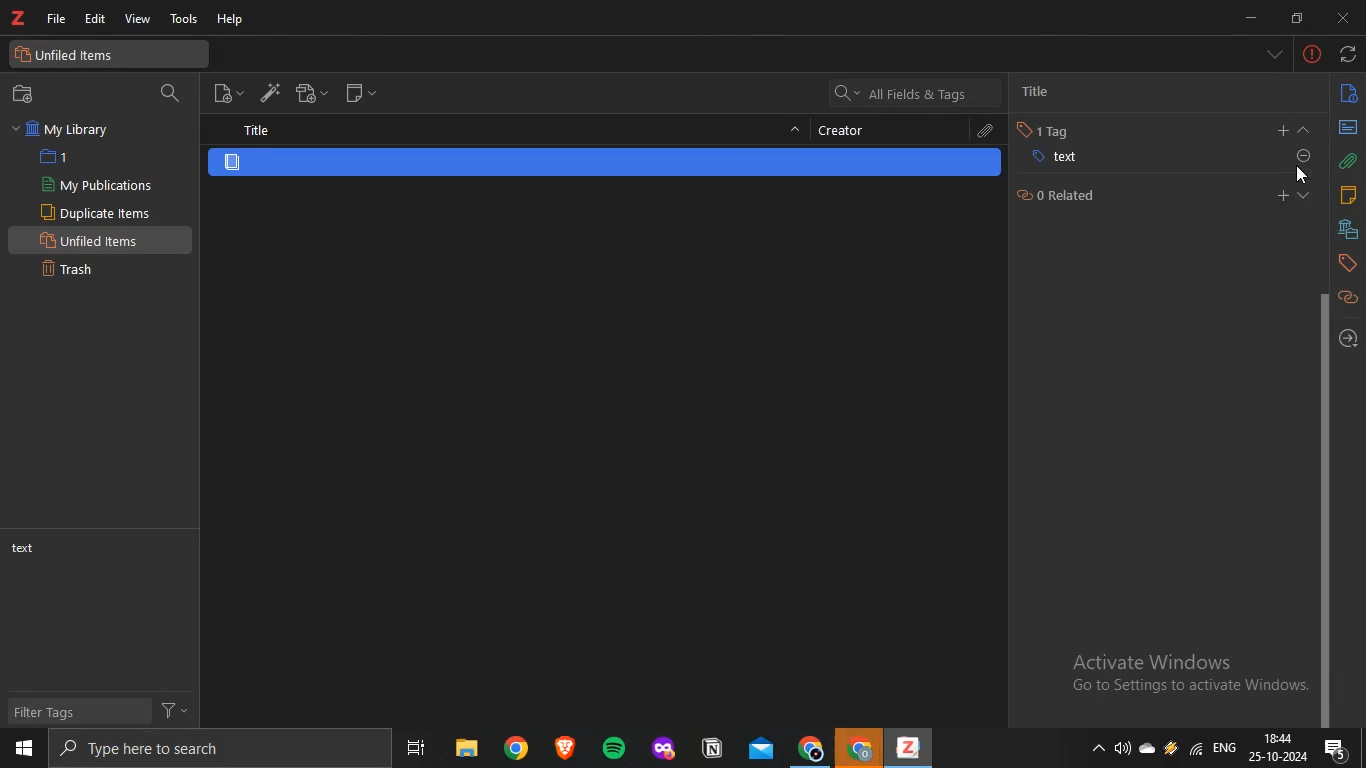 The image size is (1366, 768). What do you see at coordinates (20, 750) in the screenshot?
I see `start` at bounding box center [20, 750].